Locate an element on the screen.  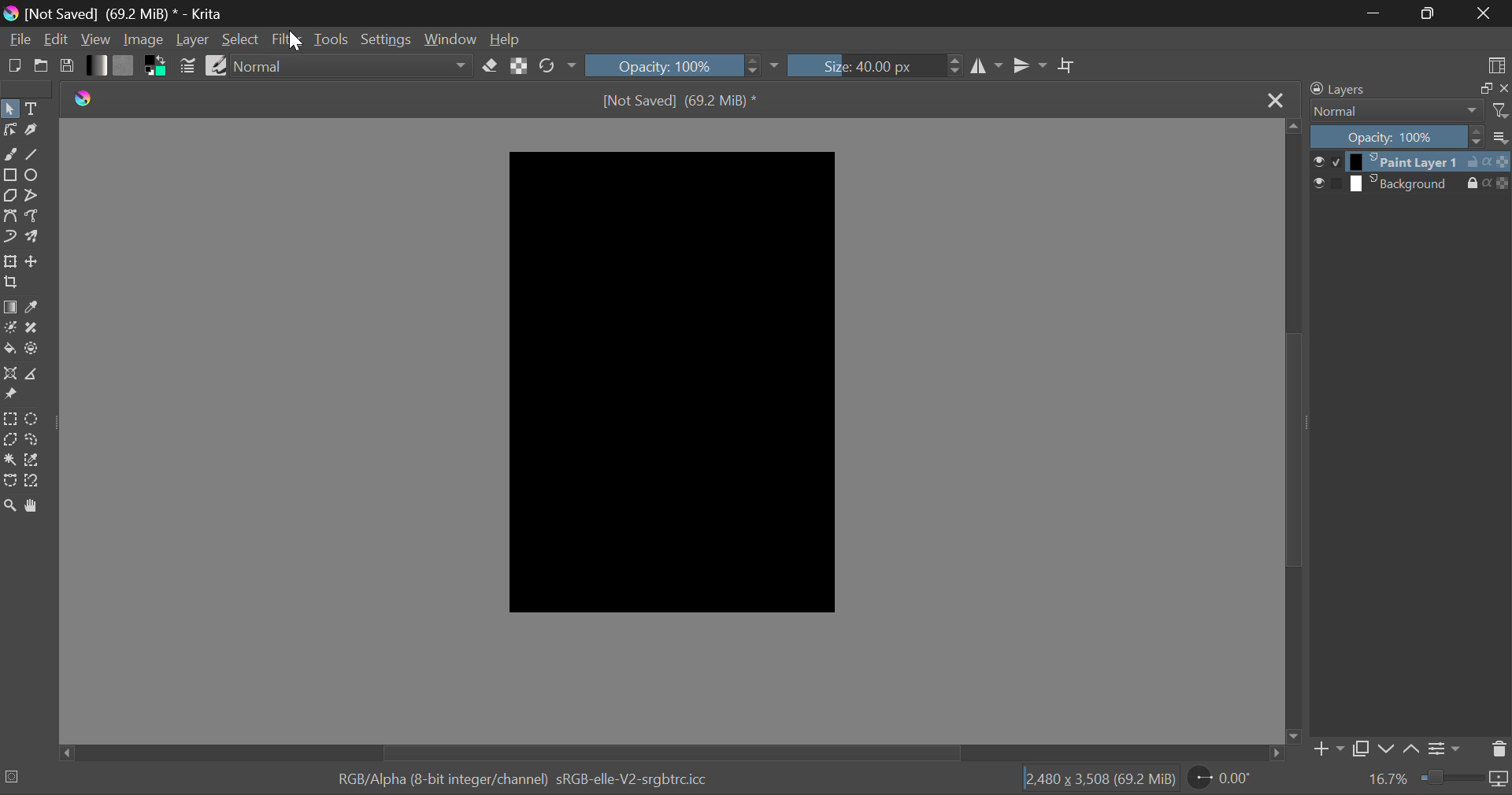
Edit is located at coordinates (57, 40).